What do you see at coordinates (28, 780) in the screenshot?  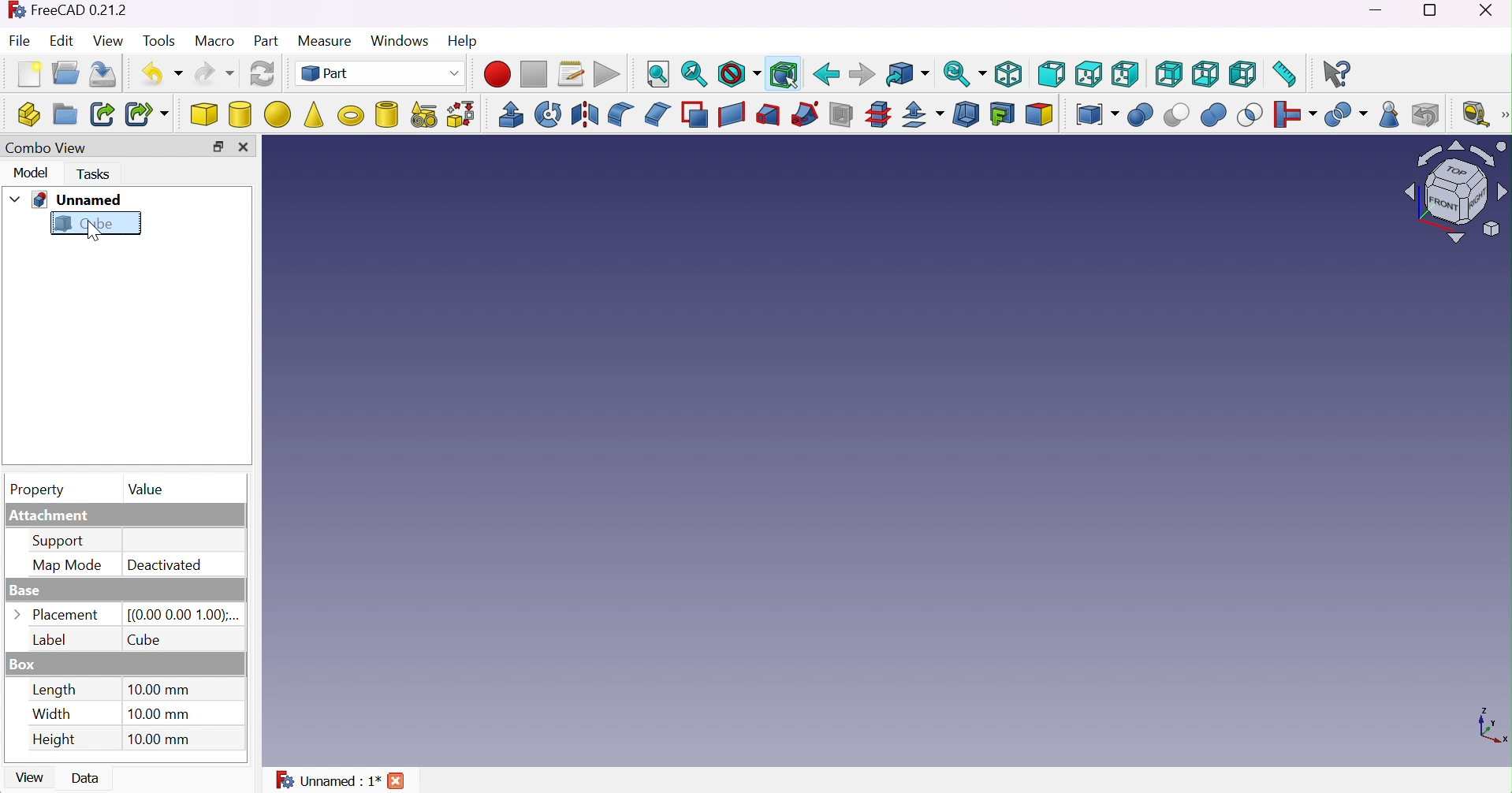 I see `View` at bounding box center [28, 780].